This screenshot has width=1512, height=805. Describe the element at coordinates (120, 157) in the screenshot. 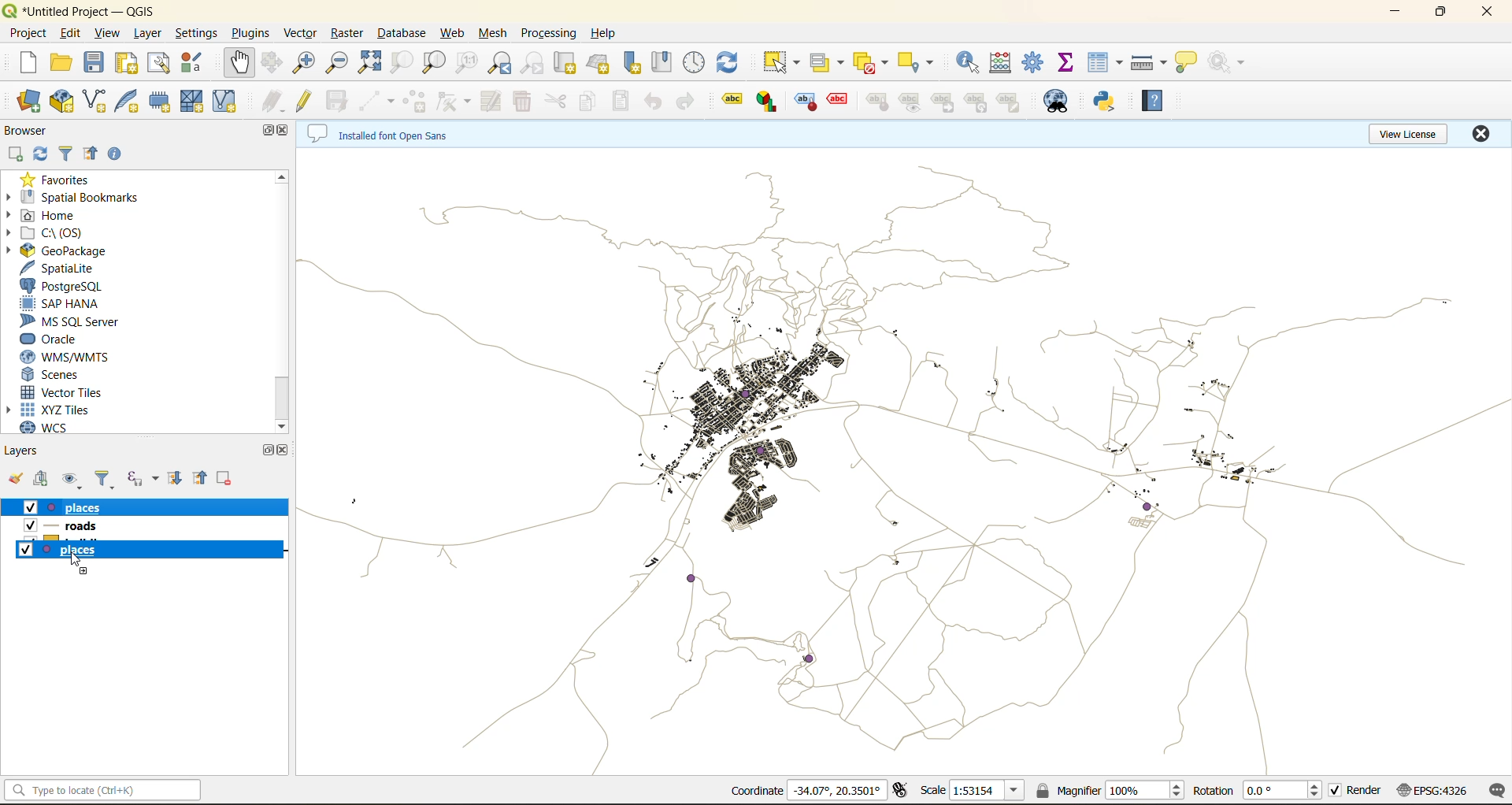

I see `enable properties` at that location.